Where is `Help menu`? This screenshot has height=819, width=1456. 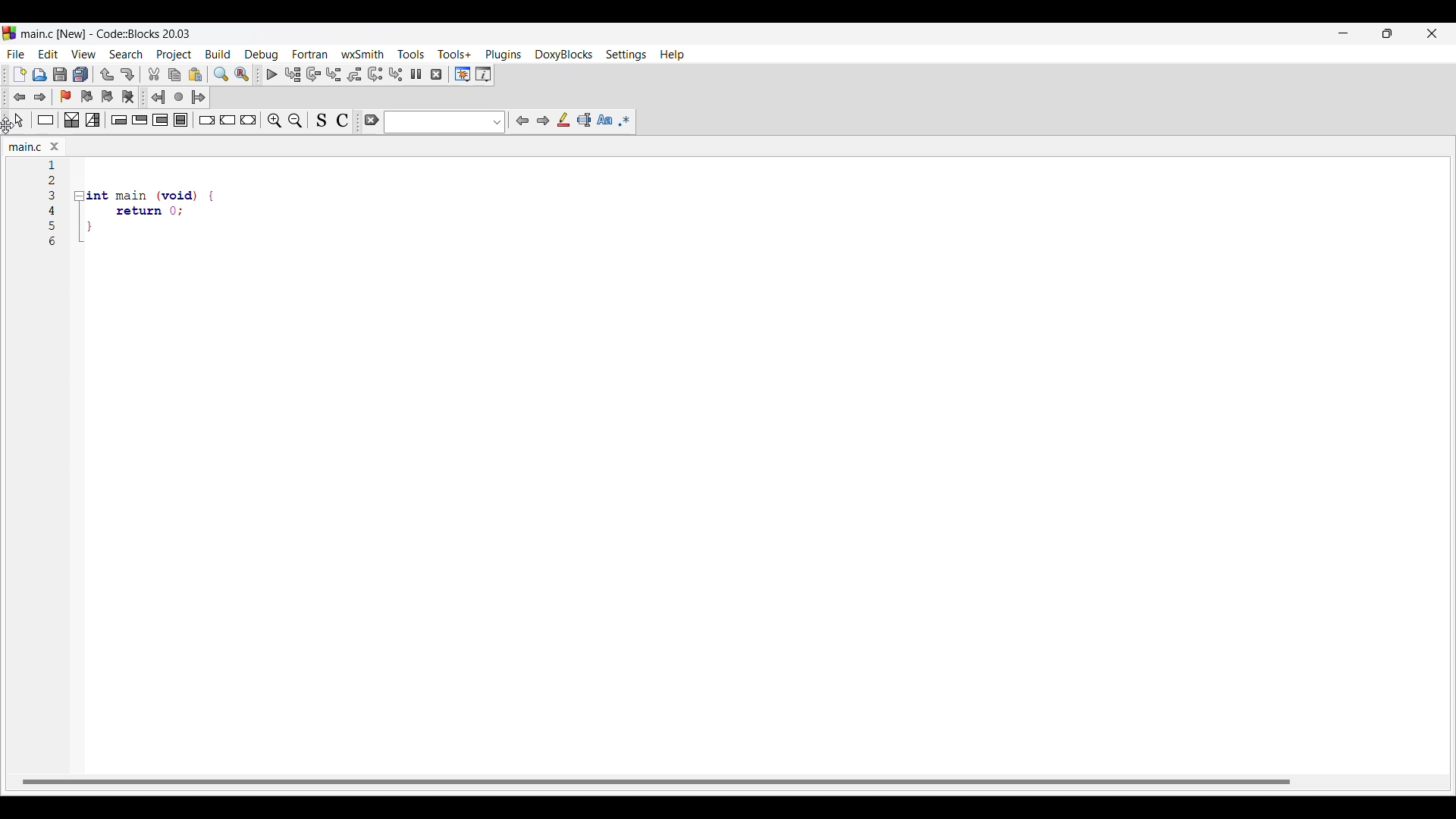 Help menu is located at coordinates (672, 55).